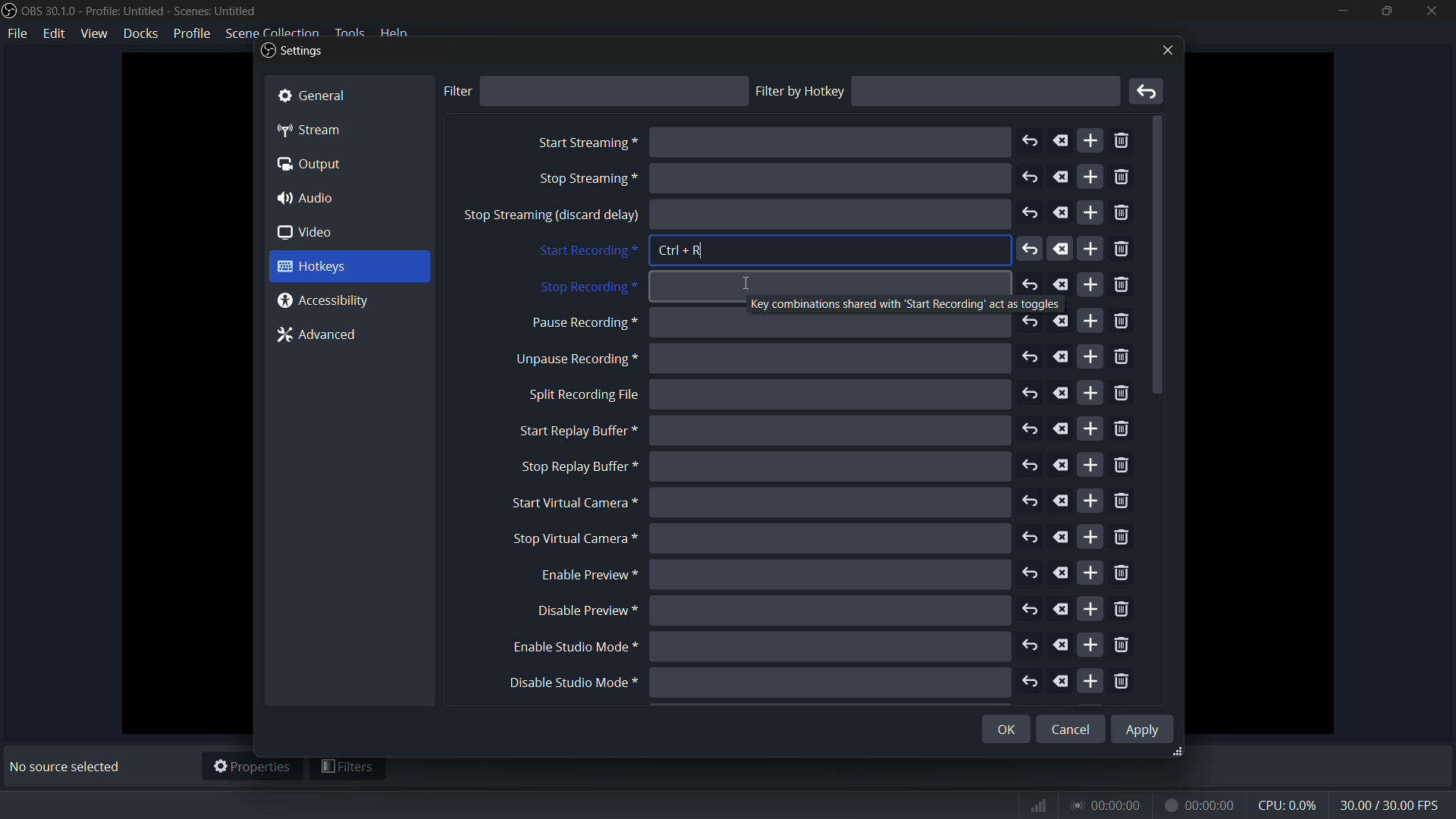 The width and height of the screenshot is (1456, 819). I want to click on undo, so click(1034, 682).